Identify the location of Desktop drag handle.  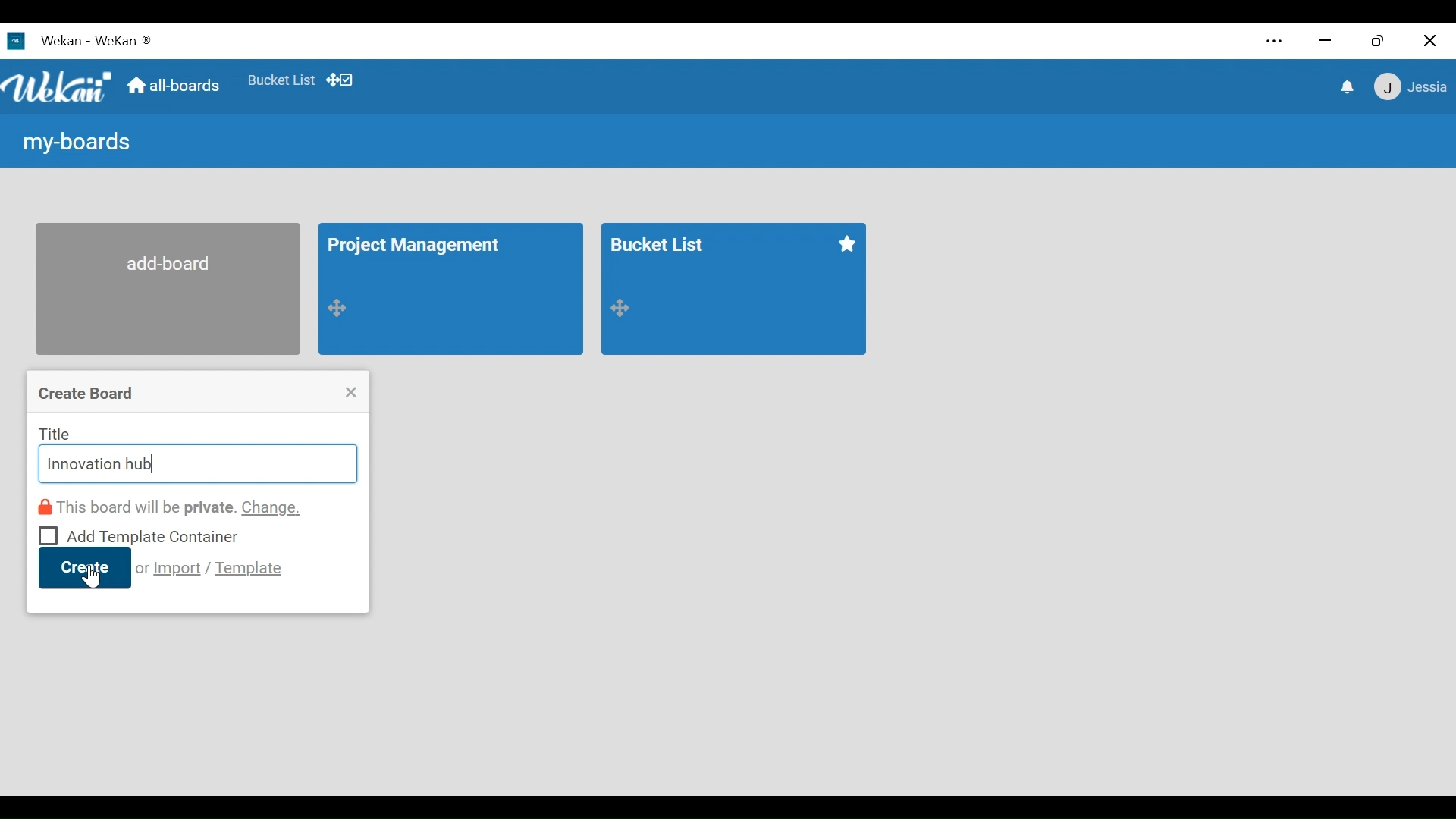
(340, 306).